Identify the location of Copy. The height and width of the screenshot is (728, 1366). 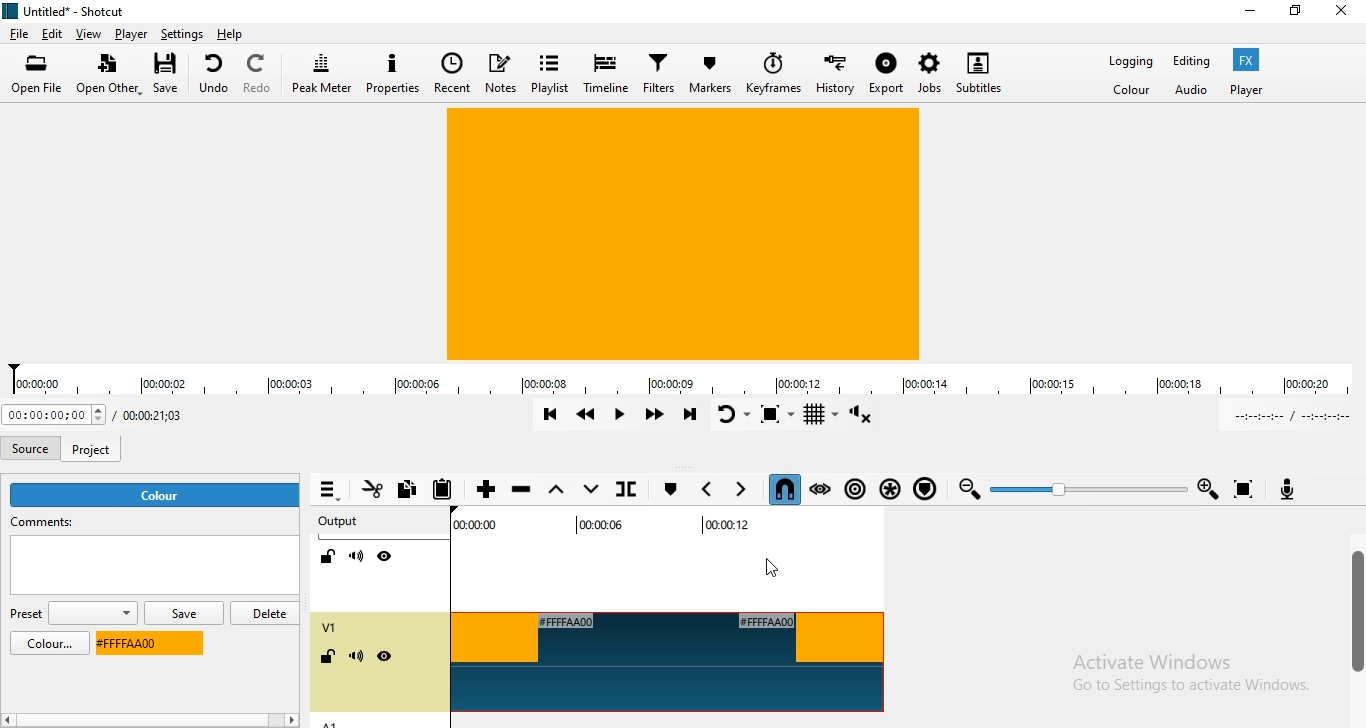
(412, 491).